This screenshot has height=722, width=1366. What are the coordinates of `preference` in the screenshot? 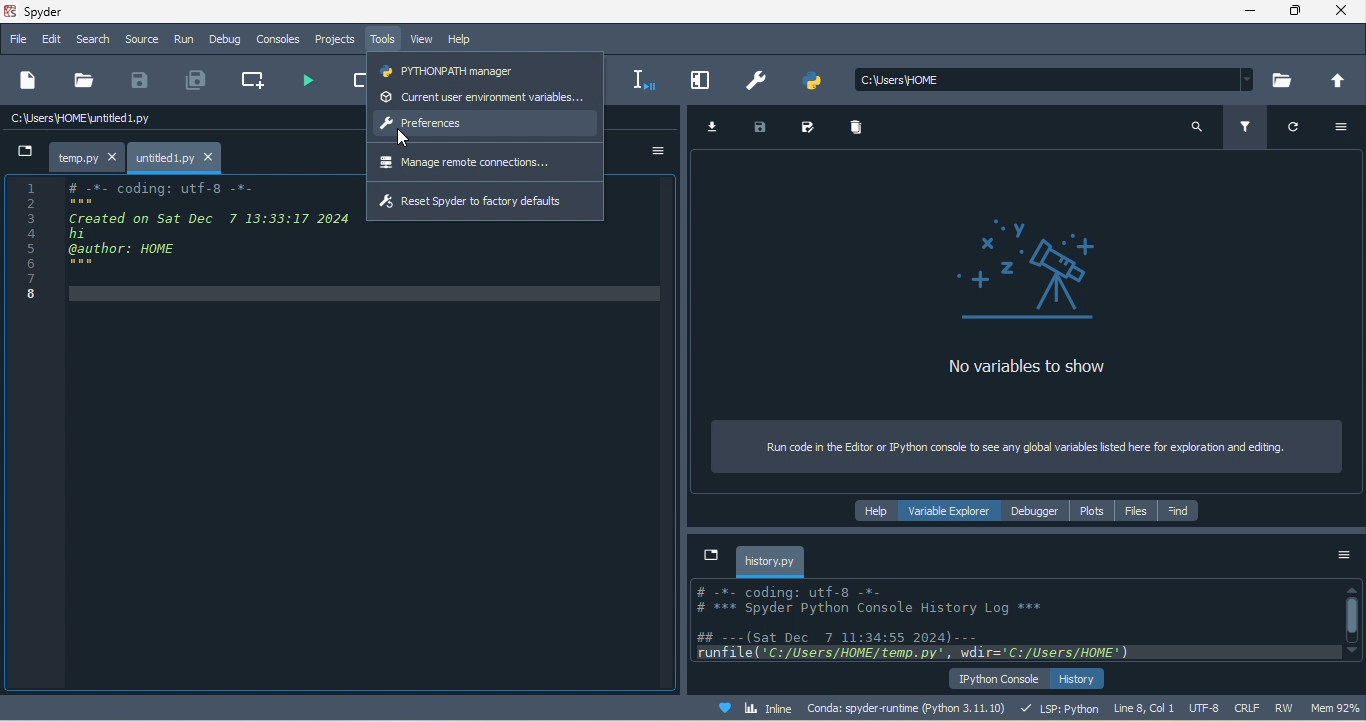 It's located at (485, 126).